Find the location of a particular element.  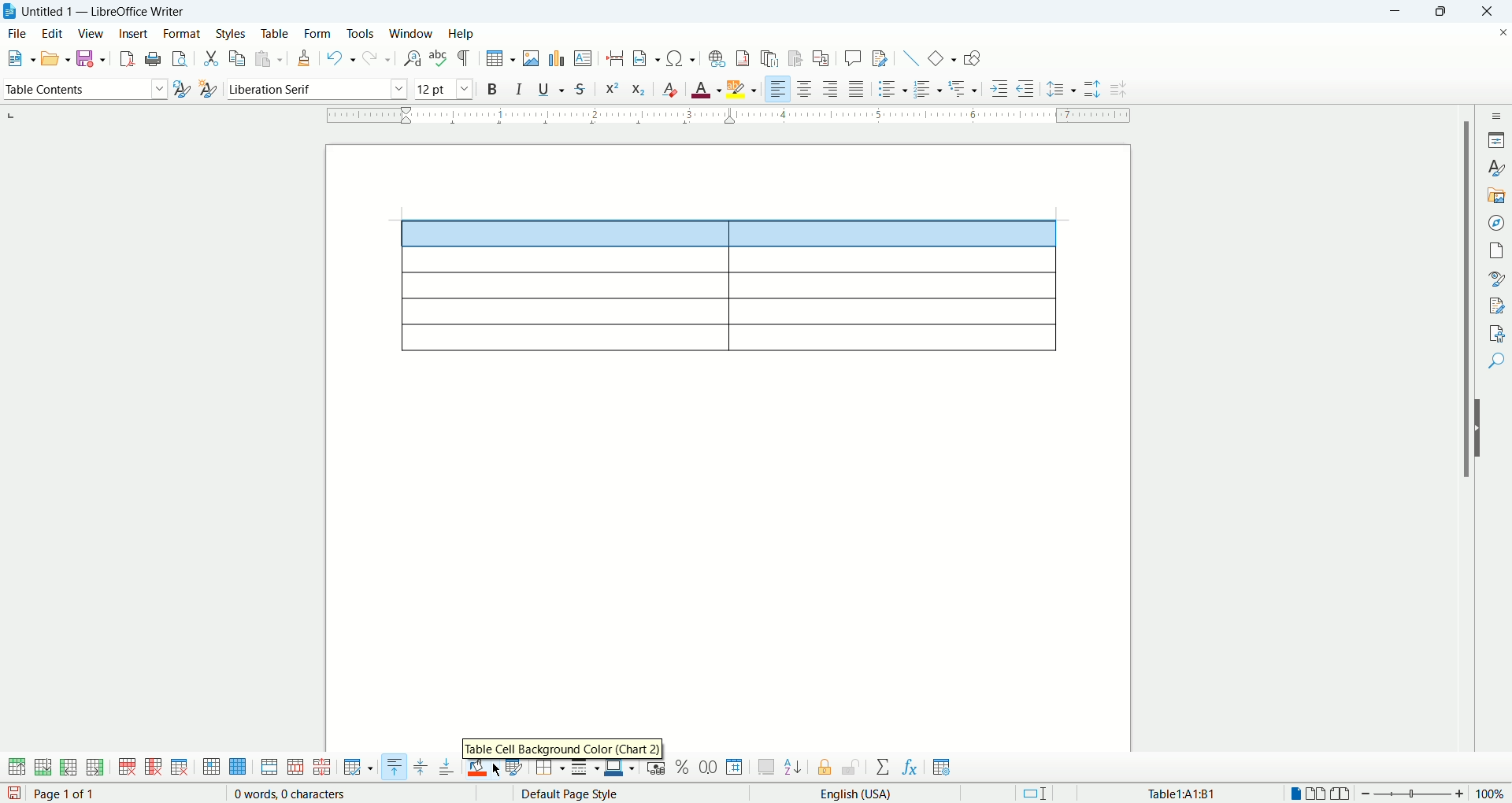

single page view is located at coordinates (1294, 794).